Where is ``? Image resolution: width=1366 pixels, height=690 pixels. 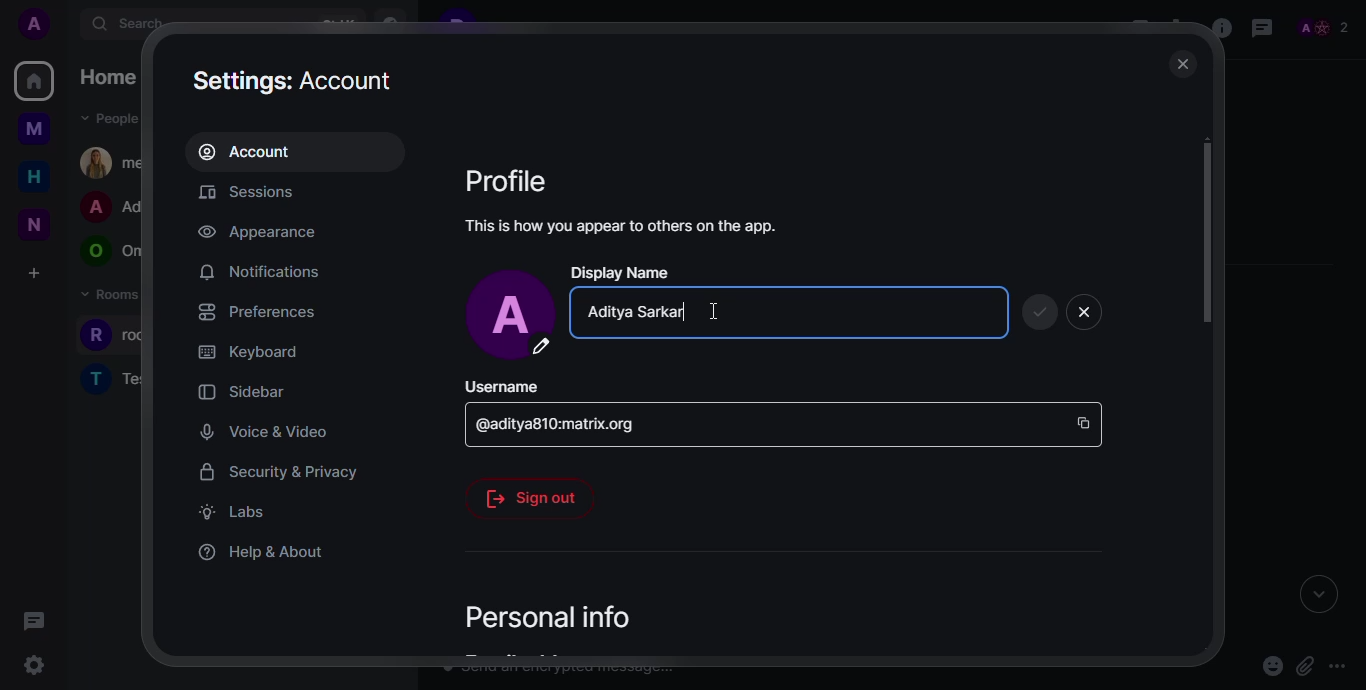  is located at coordinates (717, 311).